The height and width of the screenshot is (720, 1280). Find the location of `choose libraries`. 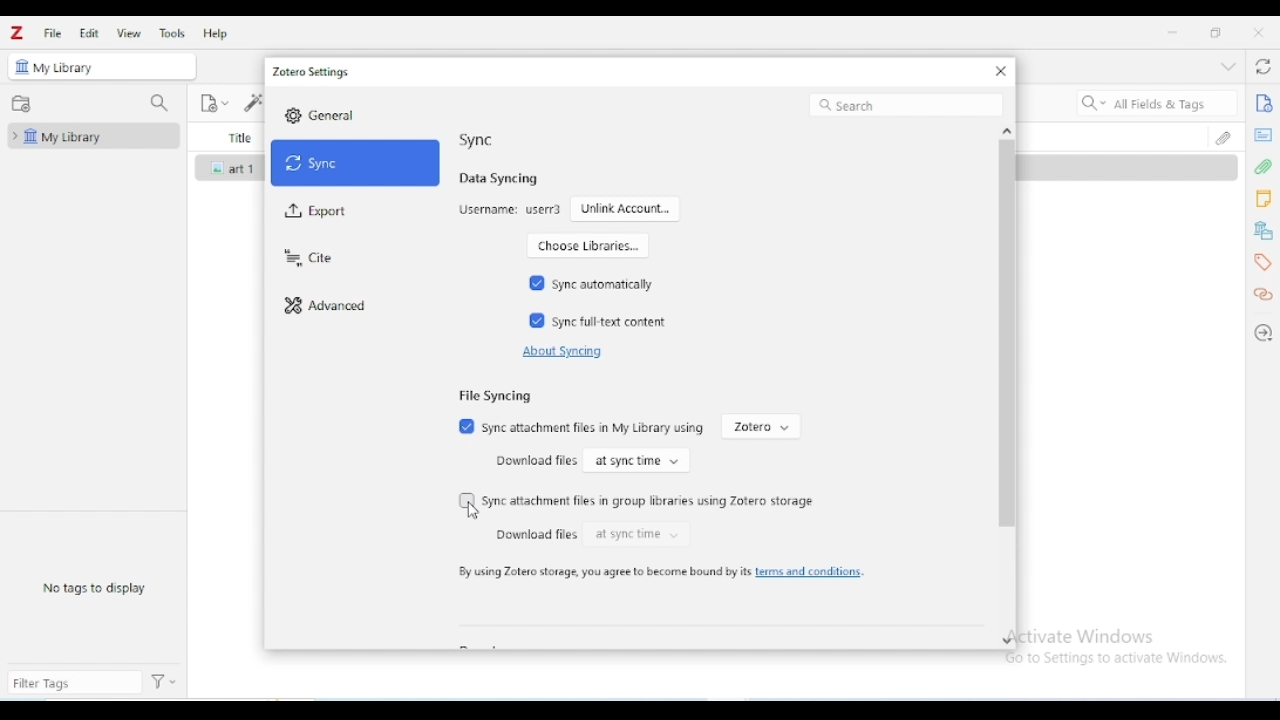

choose libraries is located at coordinates (587, 245).